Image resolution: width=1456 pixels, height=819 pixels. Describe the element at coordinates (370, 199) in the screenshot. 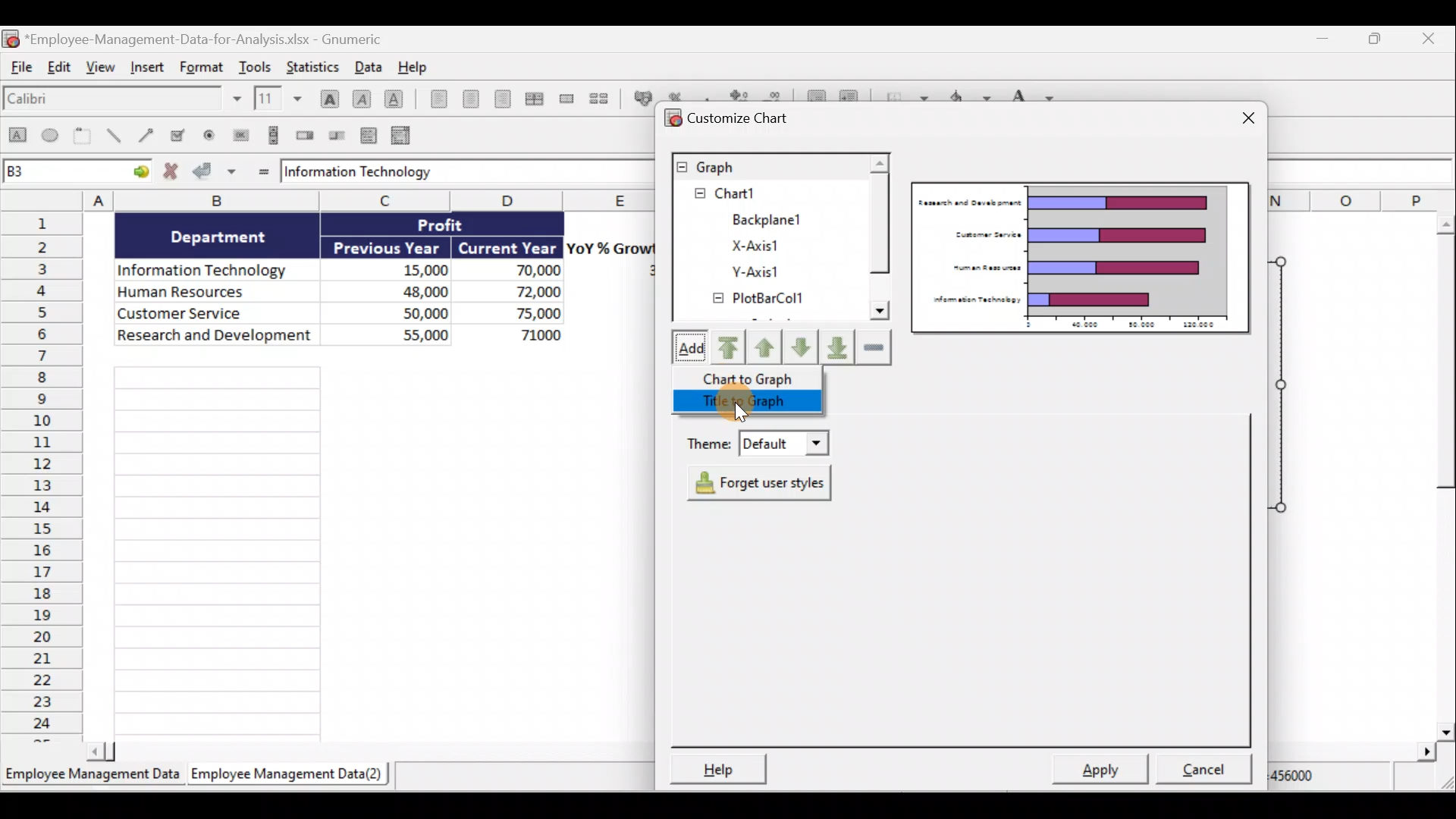

I see `Columns` at that location.